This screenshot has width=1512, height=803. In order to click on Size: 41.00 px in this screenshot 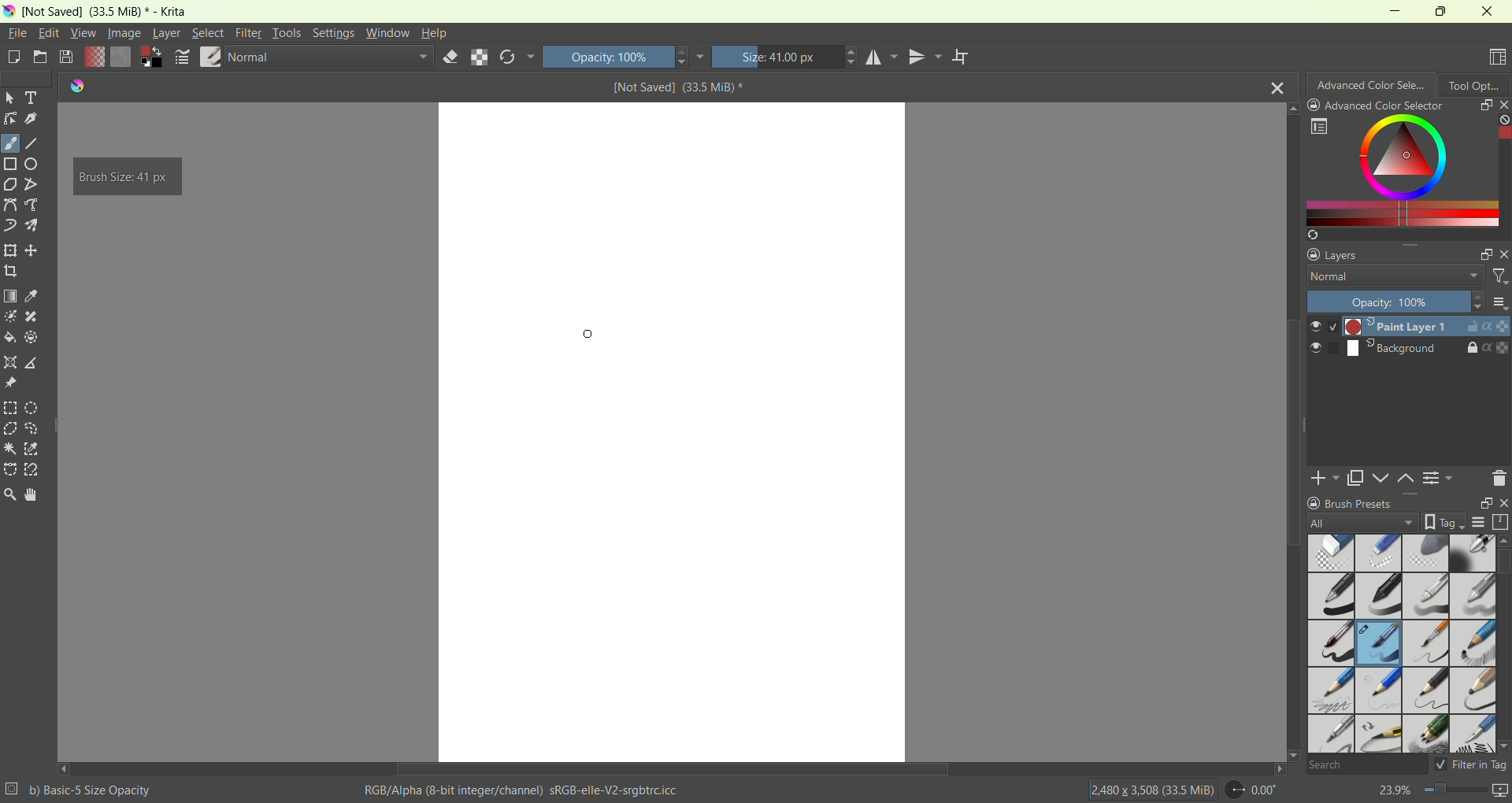, I will do `click(785, 57)`.